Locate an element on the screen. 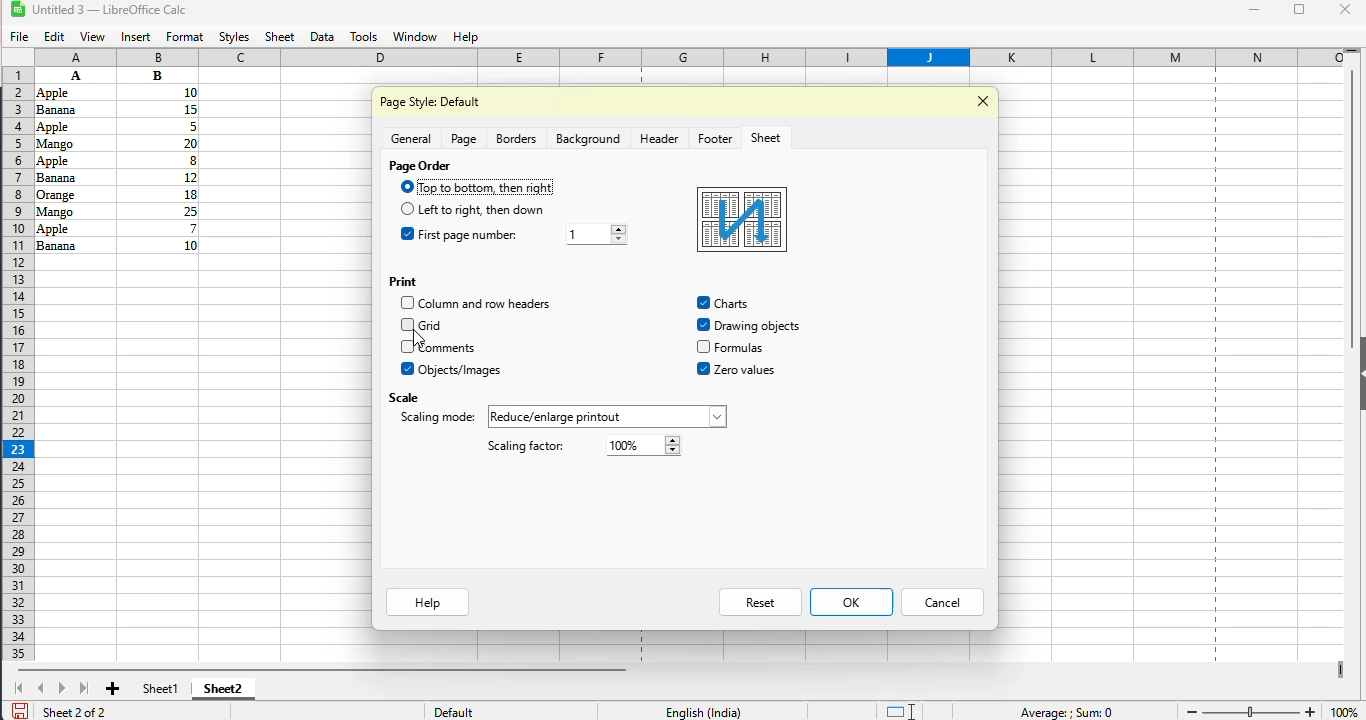  A B Apple 10 Banana 15 Apple 5 Mango 20 Apple 8 Banana 2 Orange 18 Mango 2 Apple 7 Banana 10 (data) is located at coordinates (75, 75).